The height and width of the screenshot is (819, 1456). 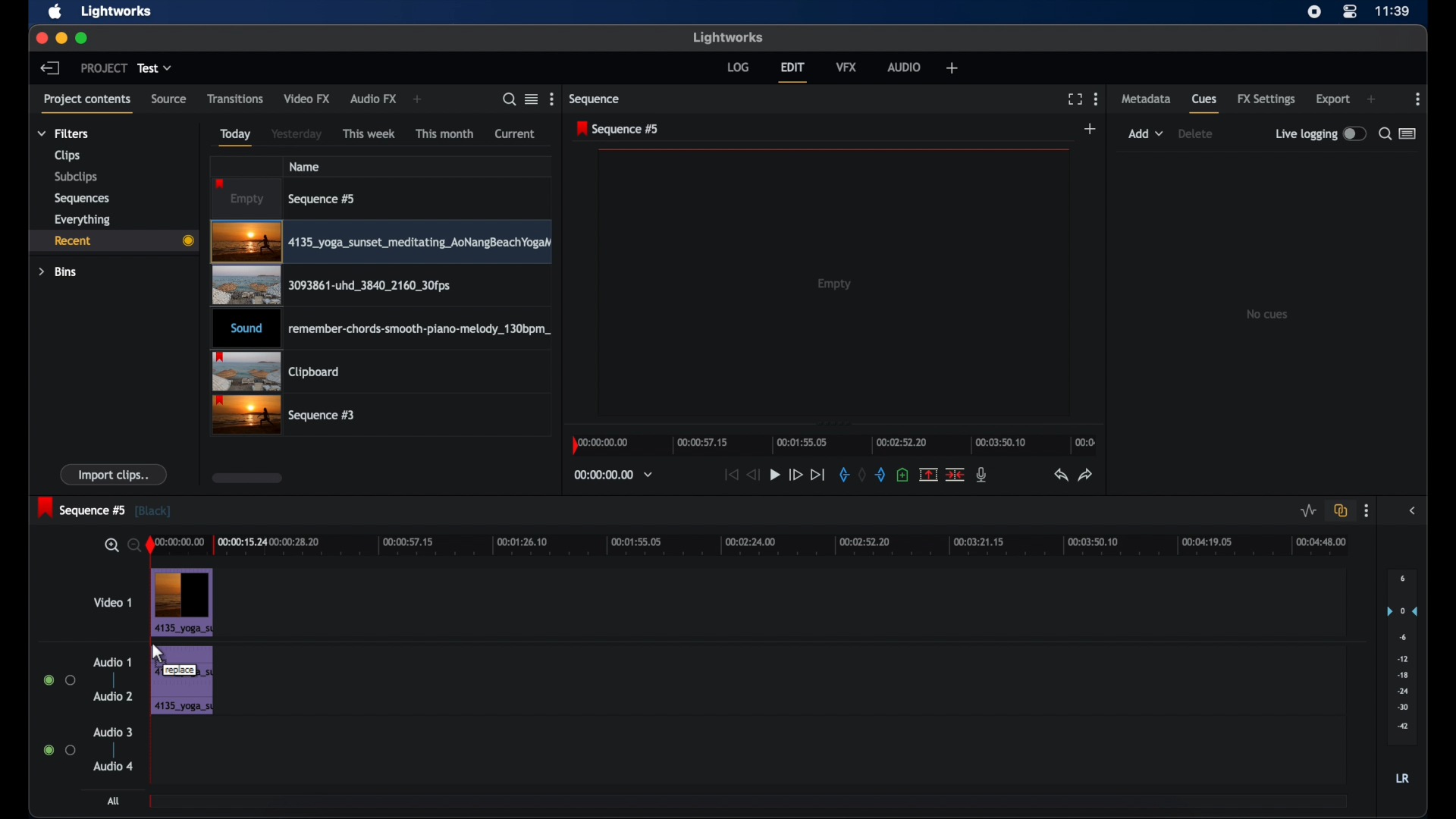 What do you see at coordinates (444, 133) in the screenshot?
I see `this month` at bounding box center [444, 133].